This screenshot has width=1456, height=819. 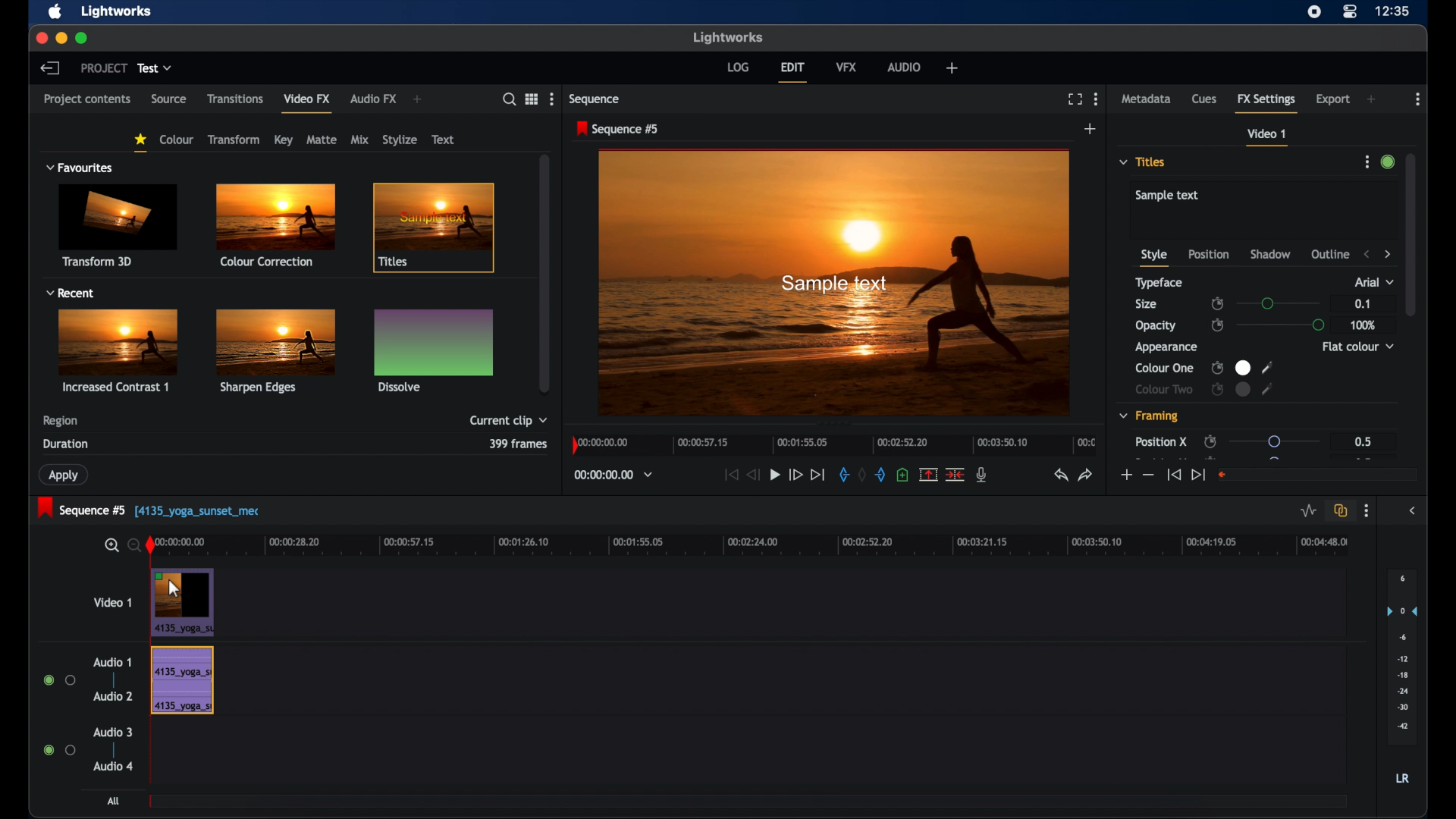 What do you see at coordinates (1272, 442) in the screenshot?
I see `slider` at bounding box center [1272, 442].